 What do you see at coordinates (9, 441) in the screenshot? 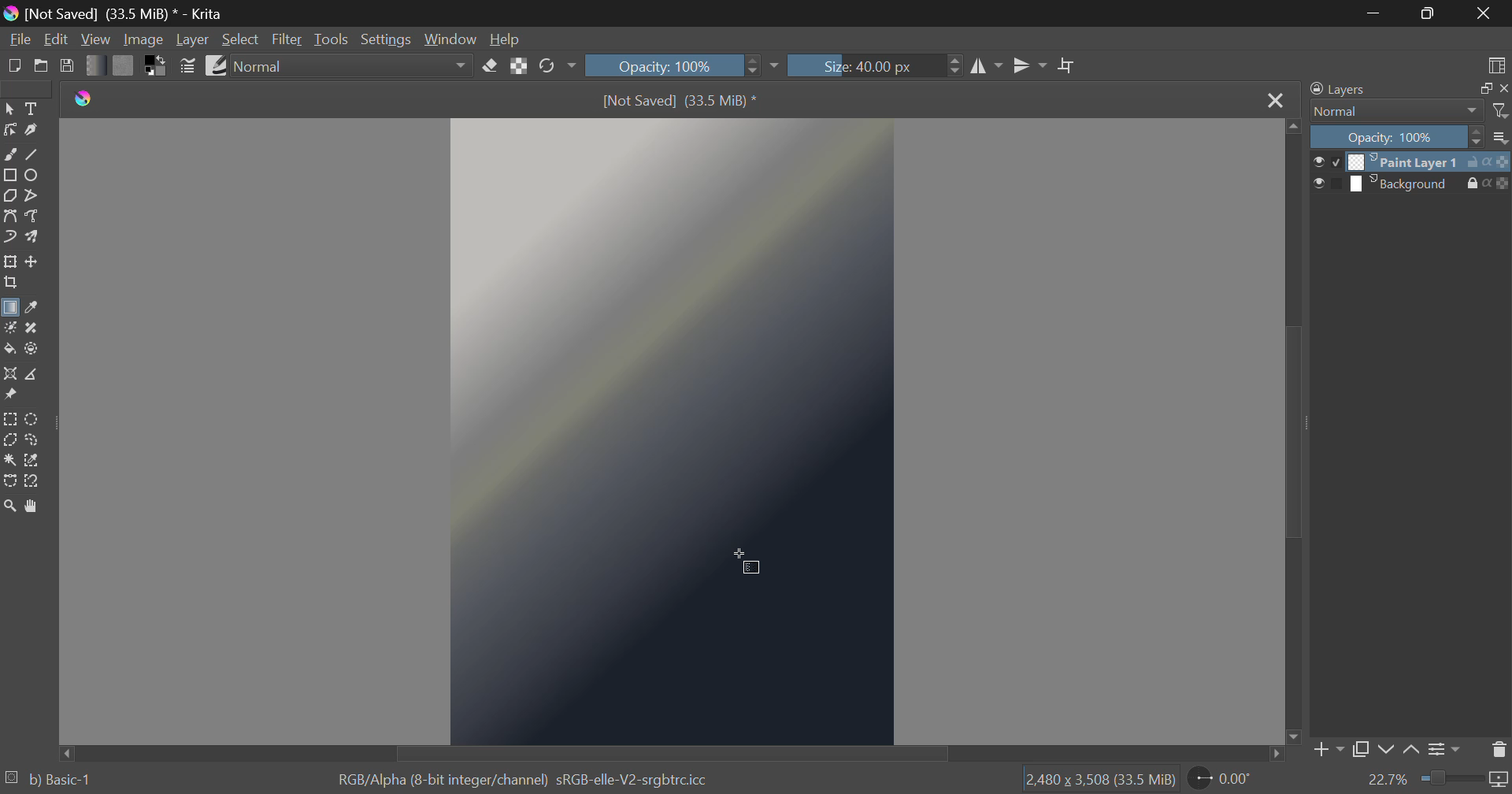
I see `Polygon Selection` at bounding box center [9, 441].